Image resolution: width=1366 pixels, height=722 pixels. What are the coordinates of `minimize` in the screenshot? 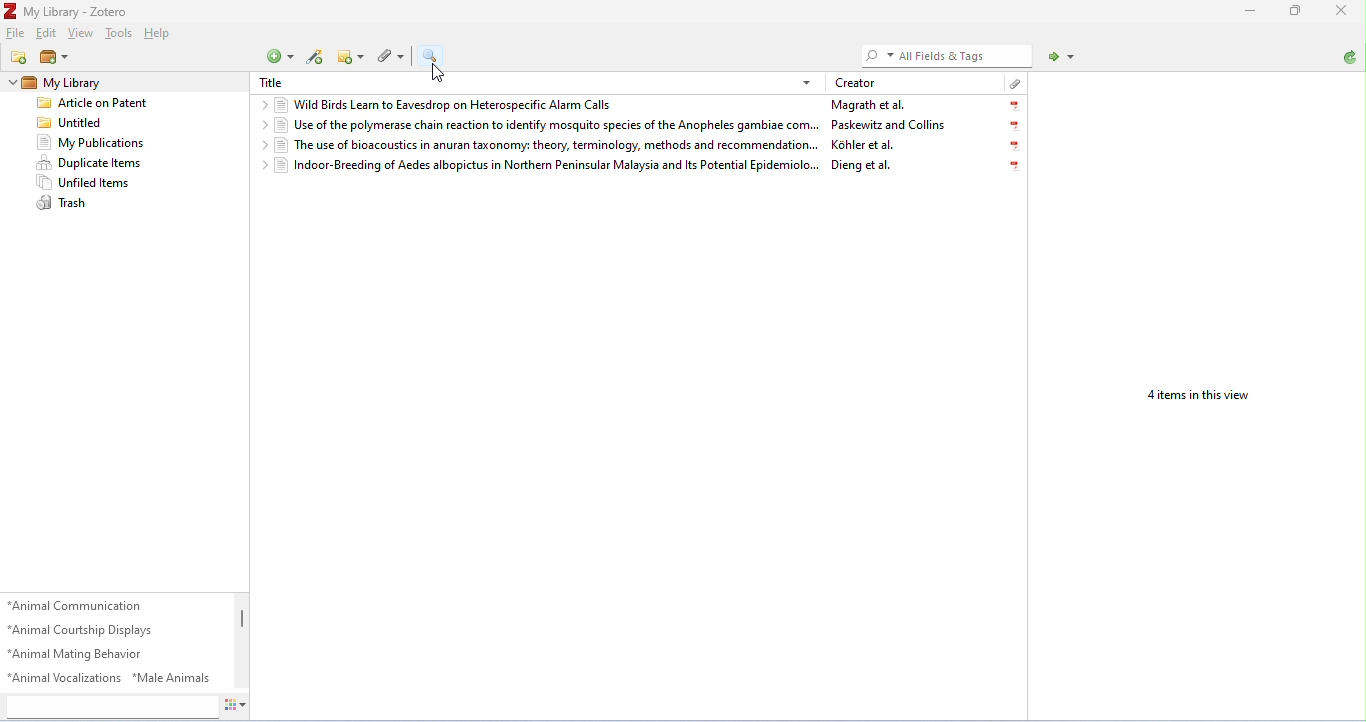 It's located at (1249, 13).